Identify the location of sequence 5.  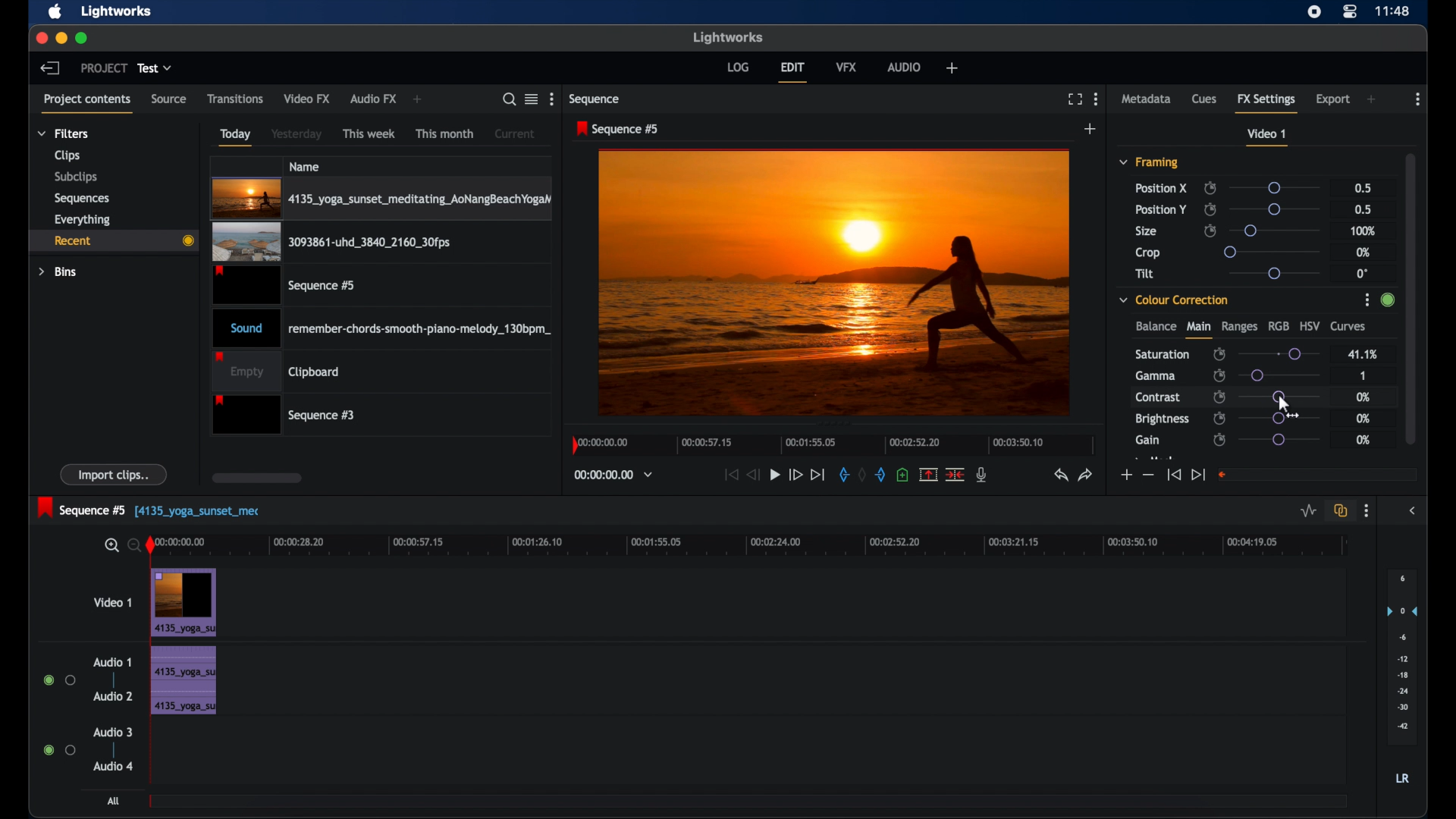
(83, 507).